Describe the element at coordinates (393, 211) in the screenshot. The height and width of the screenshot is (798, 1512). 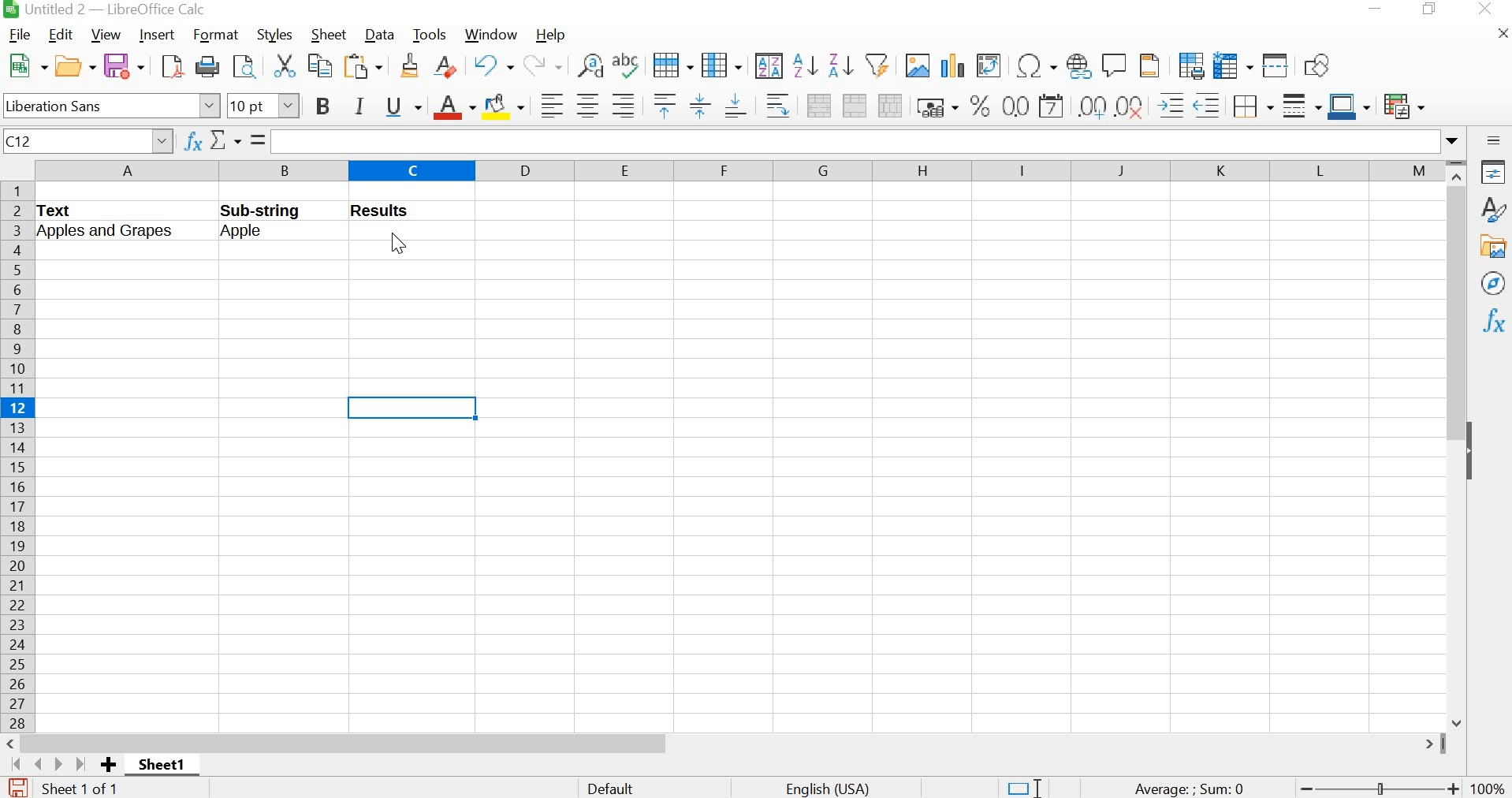
I see `Results` at that location.